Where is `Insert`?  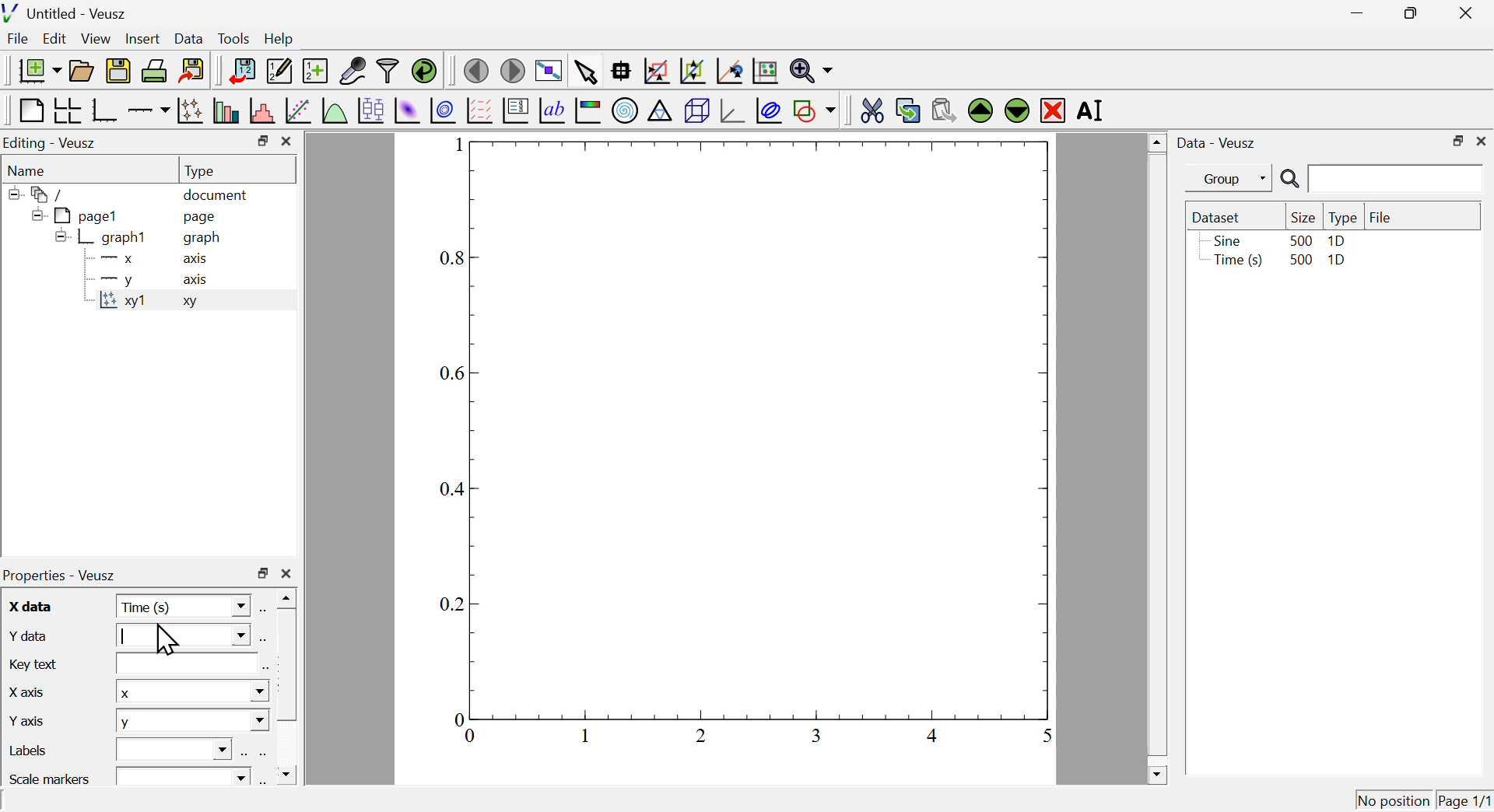 Insert is located at coordinates (141, 37).